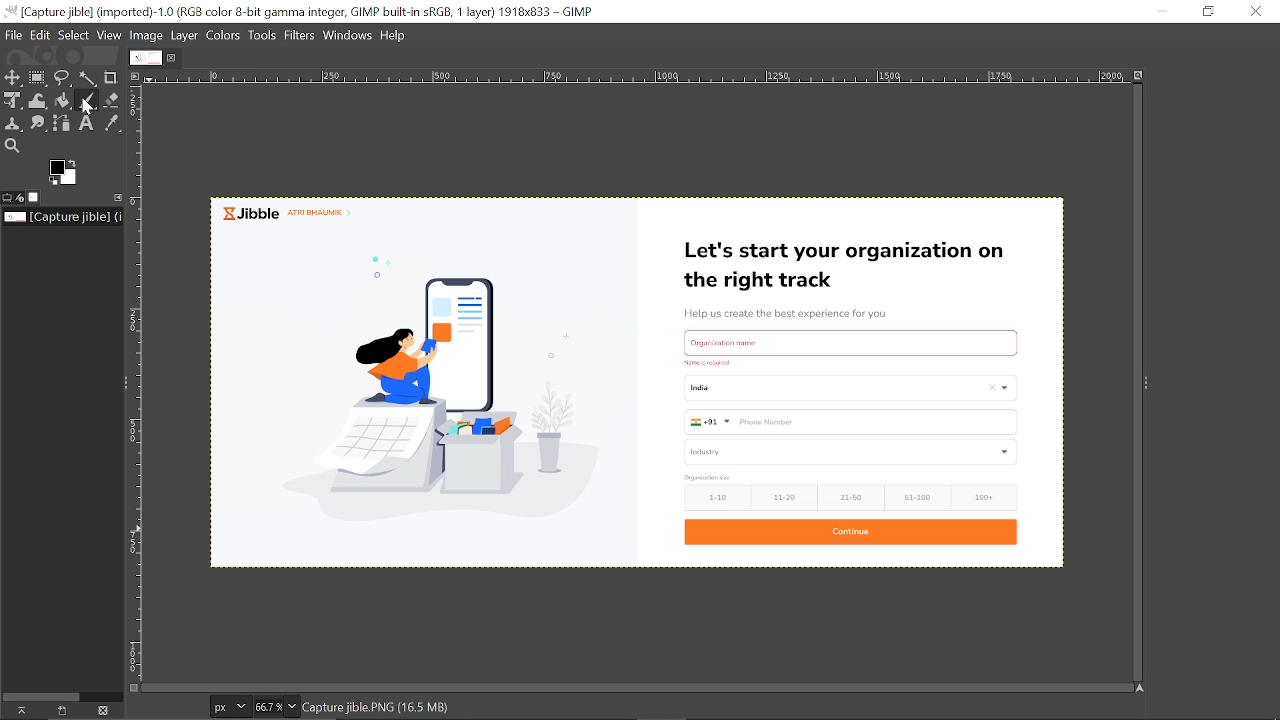  Describe the element at coordinates (39, 100) in the screenshot. I see `Wrap transformation` at that location.